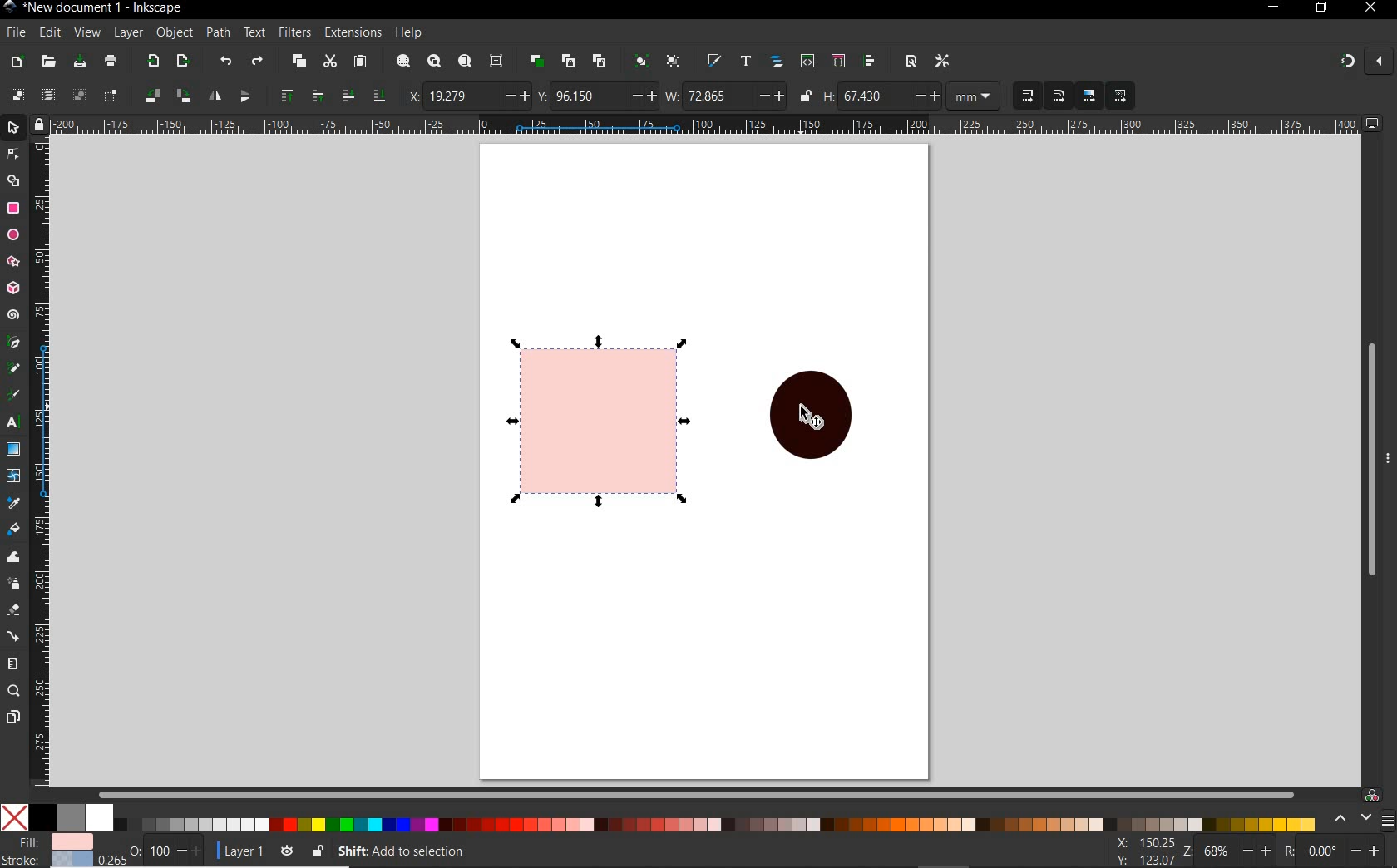  What do you see at coordinates (807, 62) in the screenshot?
I see `open xml editor` at bounding box center [807, 62].